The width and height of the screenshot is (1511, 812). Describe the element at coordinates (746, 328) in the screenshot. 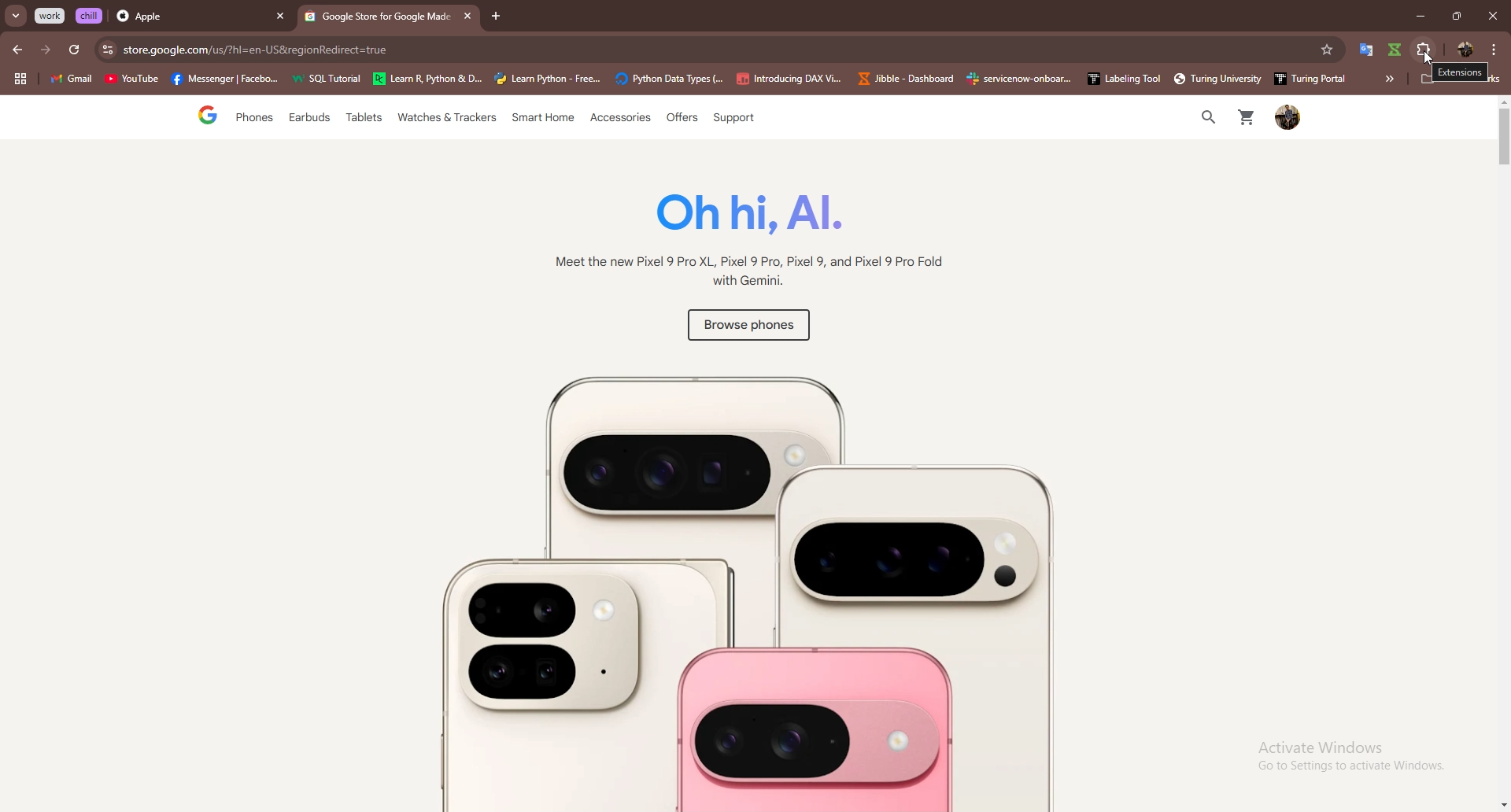

I see `Browse phones` at that location.